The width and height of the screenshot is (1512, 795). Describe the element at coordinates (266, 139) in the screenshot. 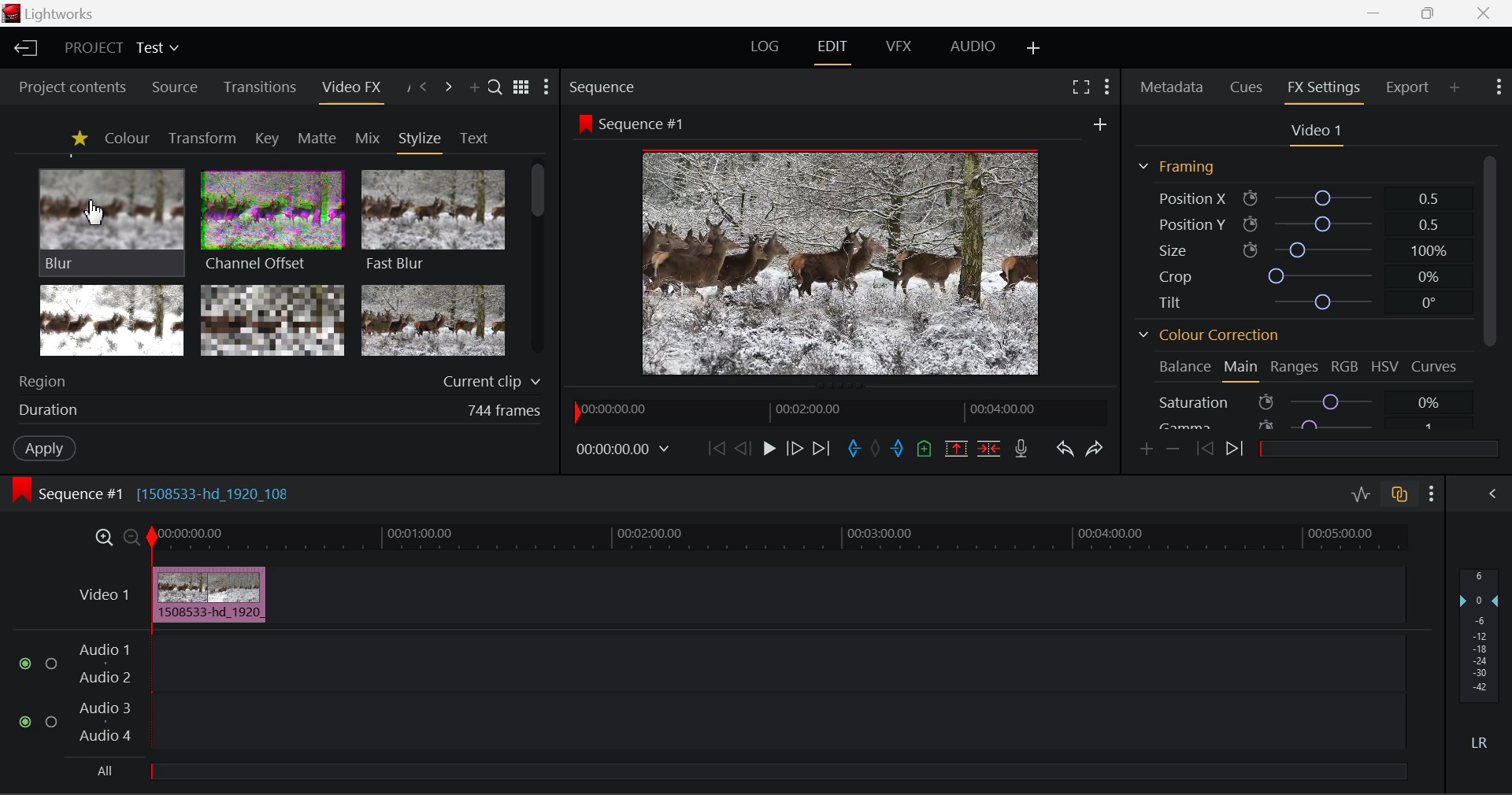

I see `Key` at that location.